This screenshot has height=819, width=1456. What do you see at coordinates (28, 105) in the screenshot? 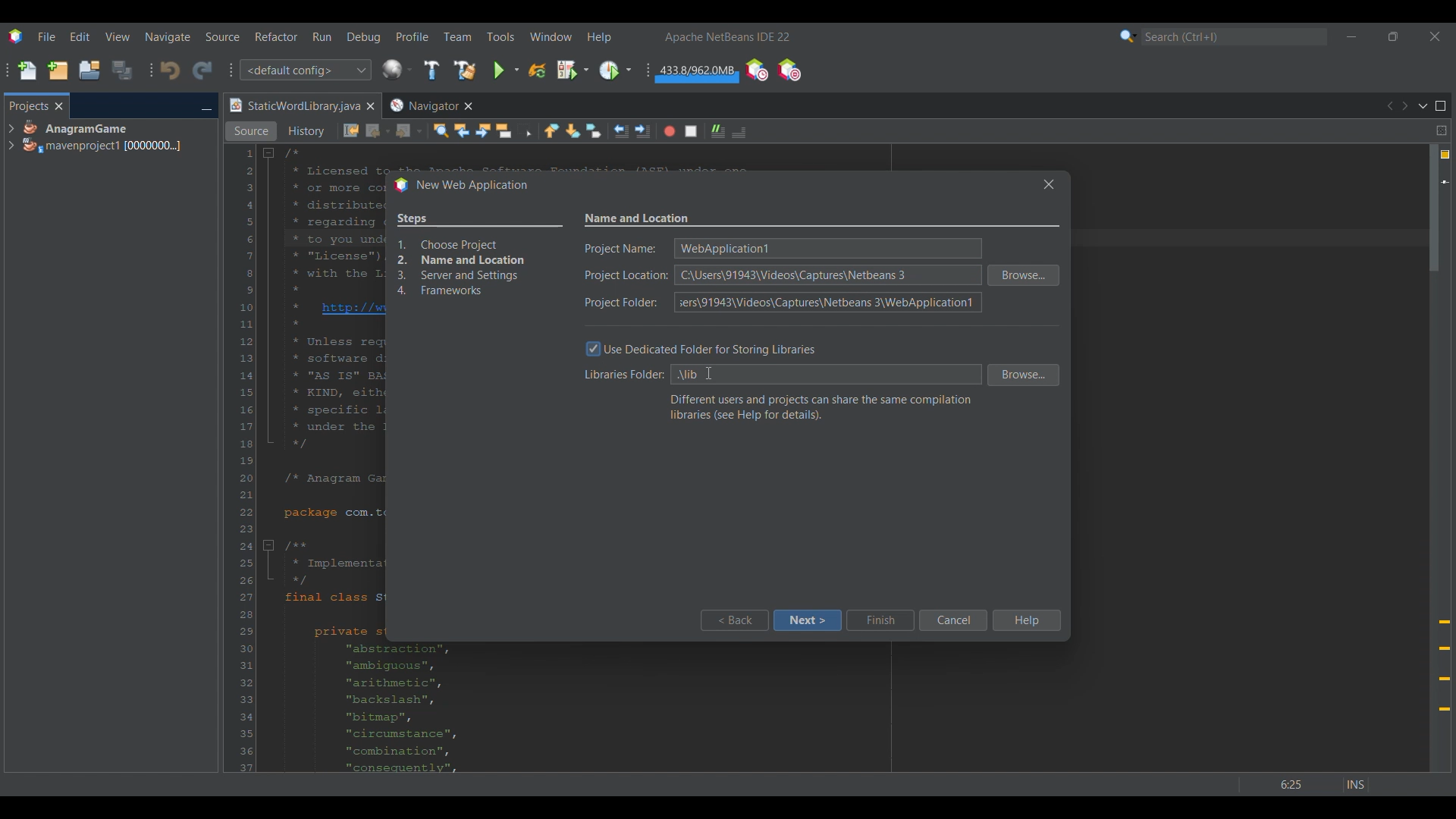
I see `Projects, current tab highlighted` at bounding box center [28, 105].